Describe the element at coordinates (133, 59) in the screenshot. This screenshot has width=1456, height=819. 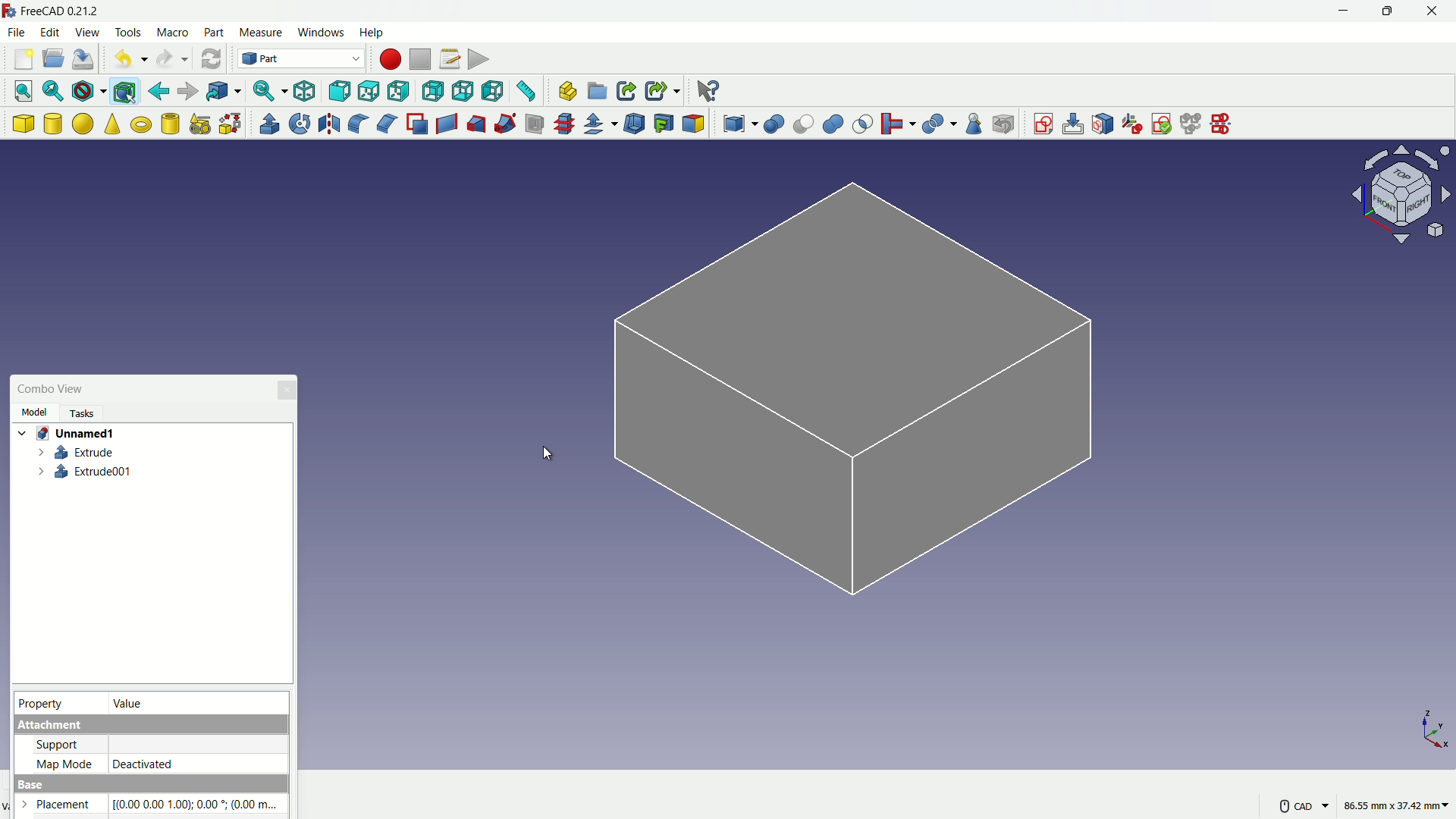
I see `undo` at that location.